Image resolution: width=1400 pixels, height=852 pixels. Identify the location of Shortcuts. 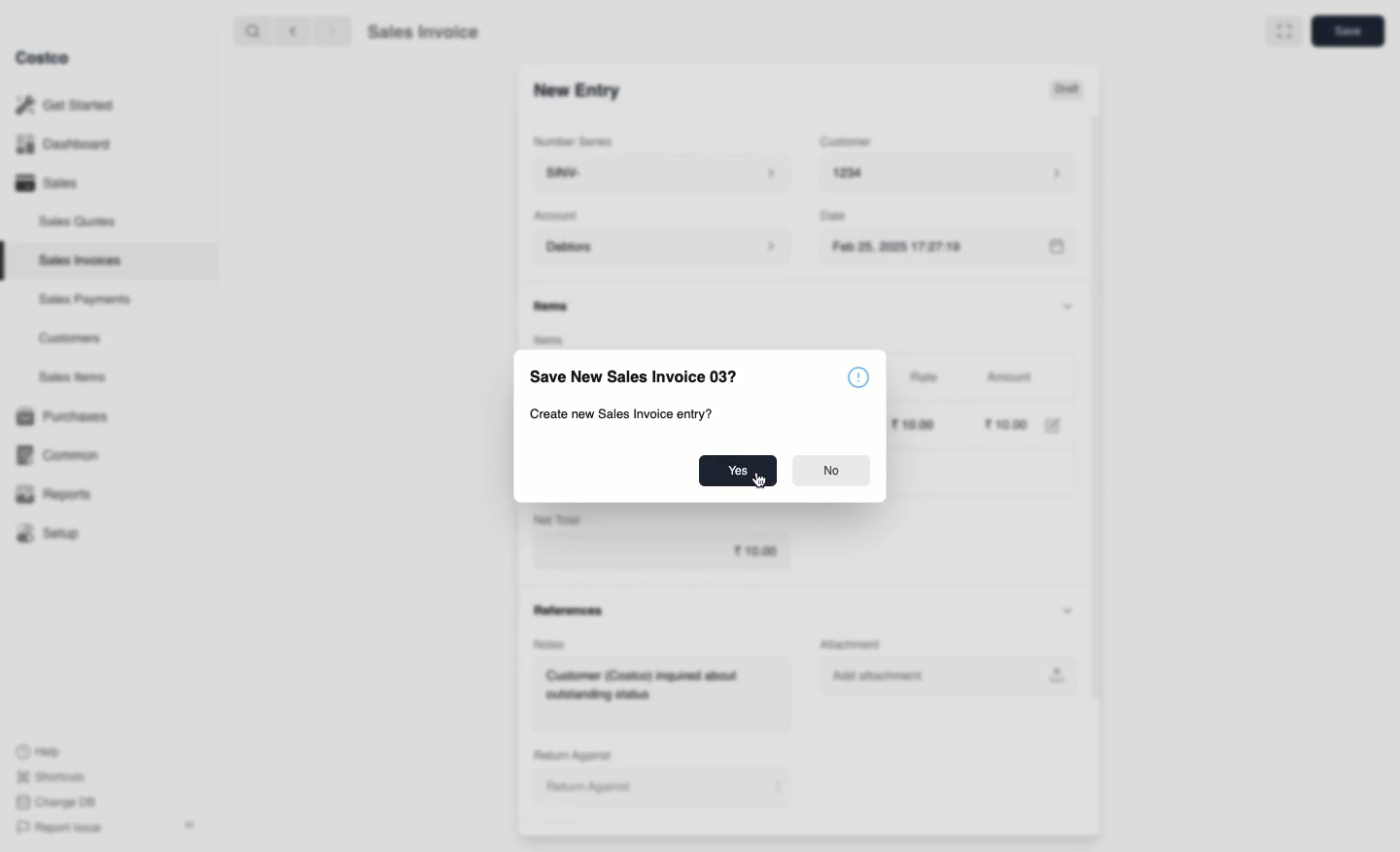
(52, 775).